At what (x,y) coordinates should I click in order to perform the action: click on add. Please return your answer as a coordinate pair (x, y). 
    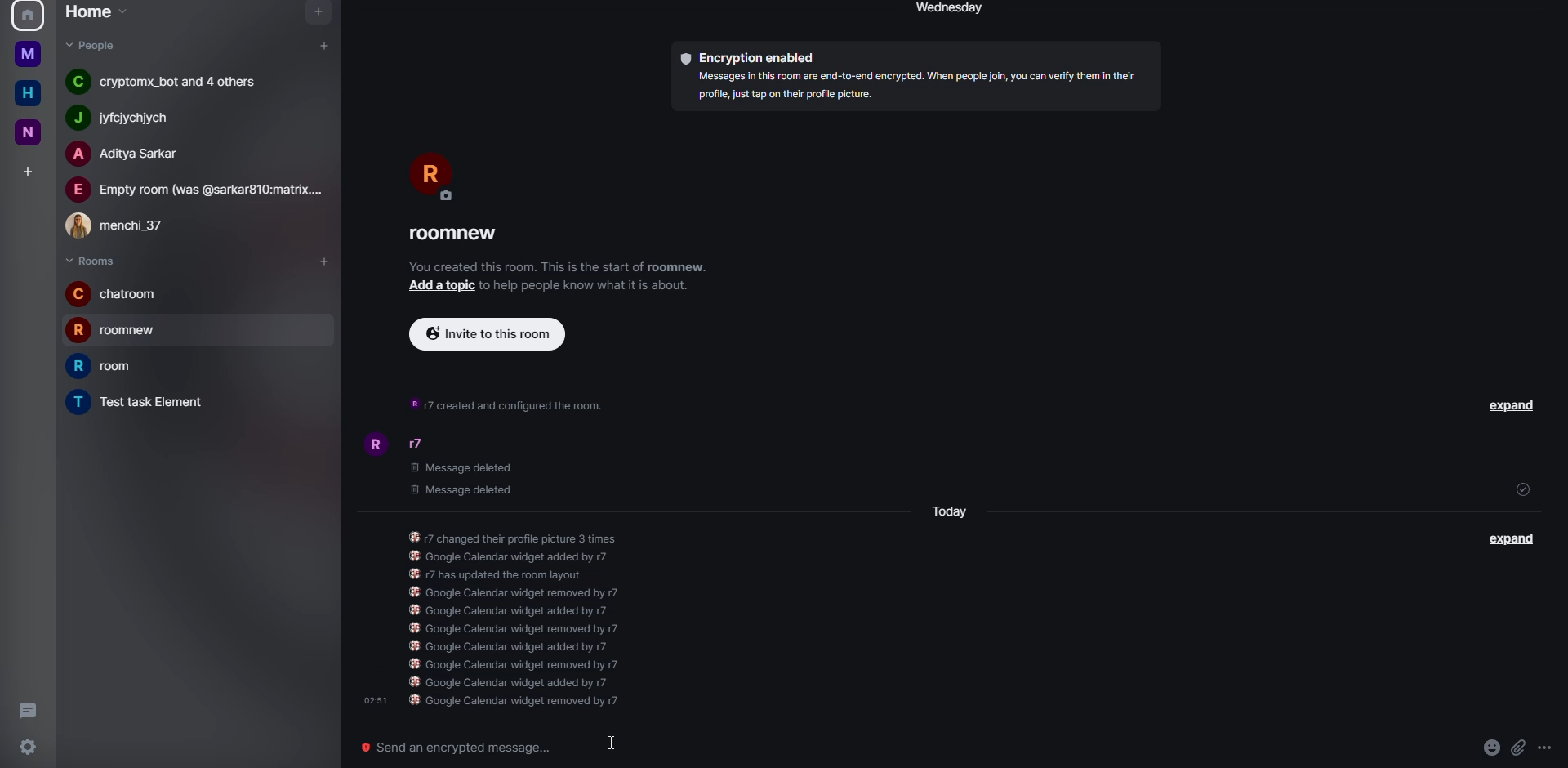
    Looking at the image, I should click on (320, 260).